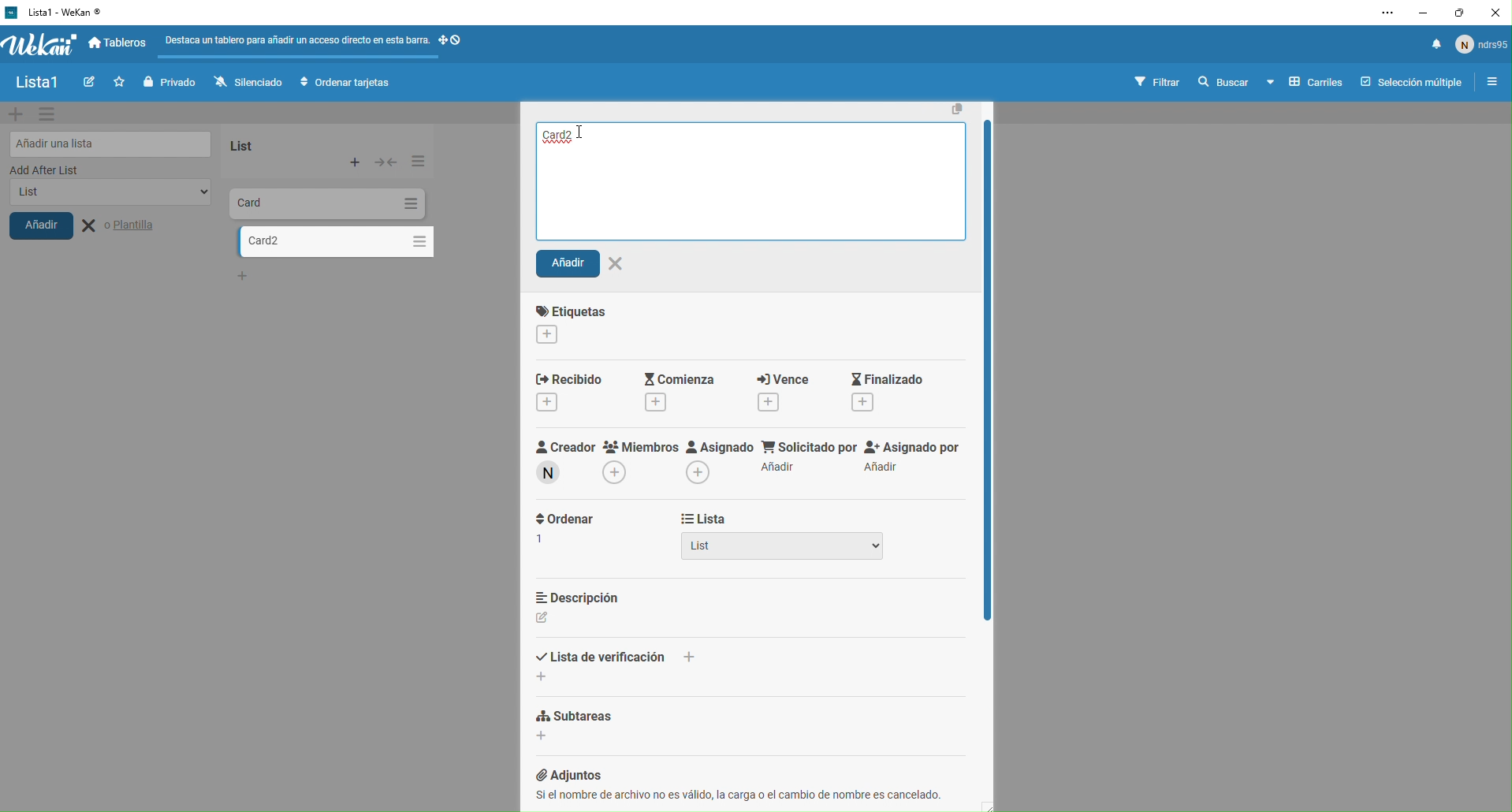  Describe the element at coordinates (386, 162) in the screenshot. I see `Expand` at that location.